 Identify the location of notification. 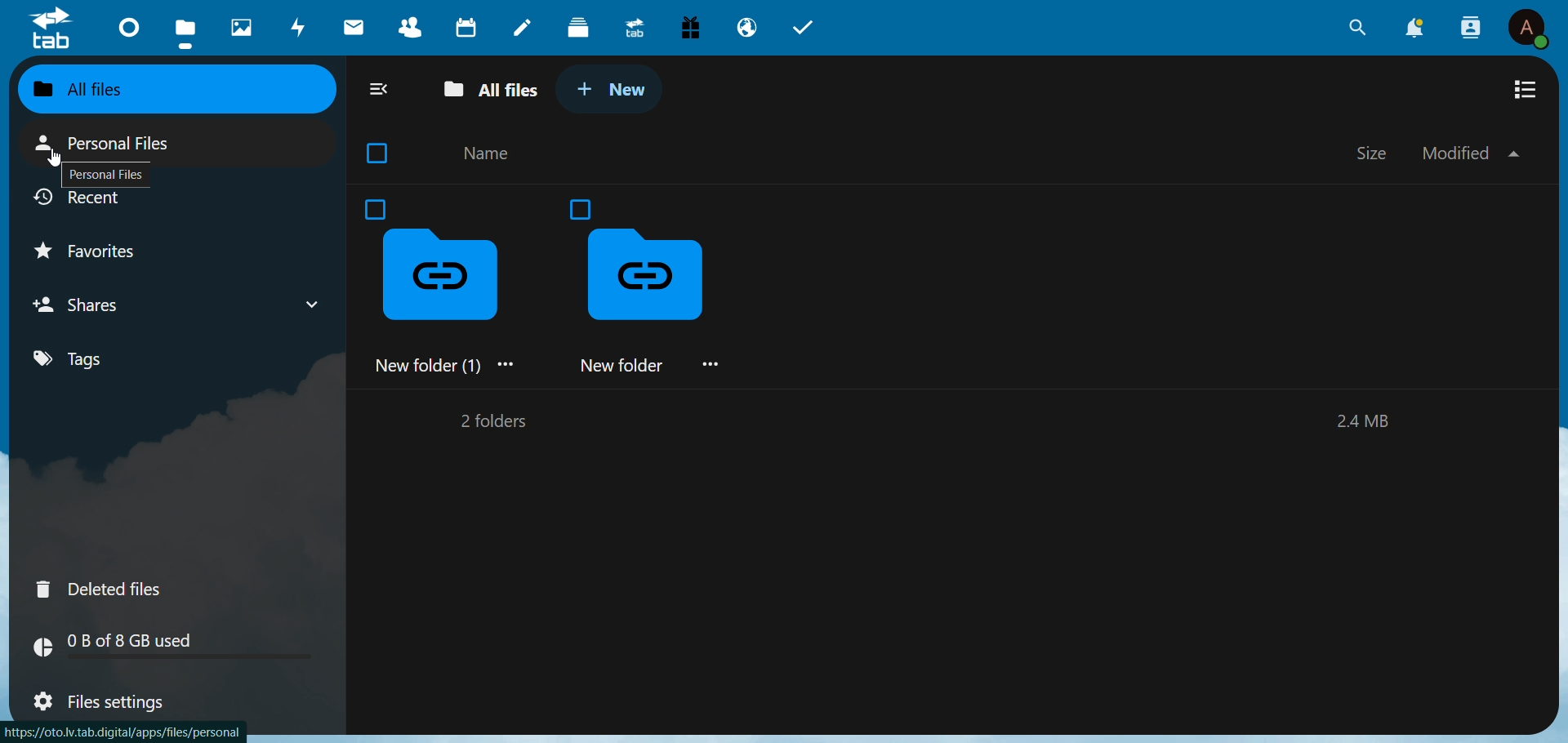
(1414, 29).